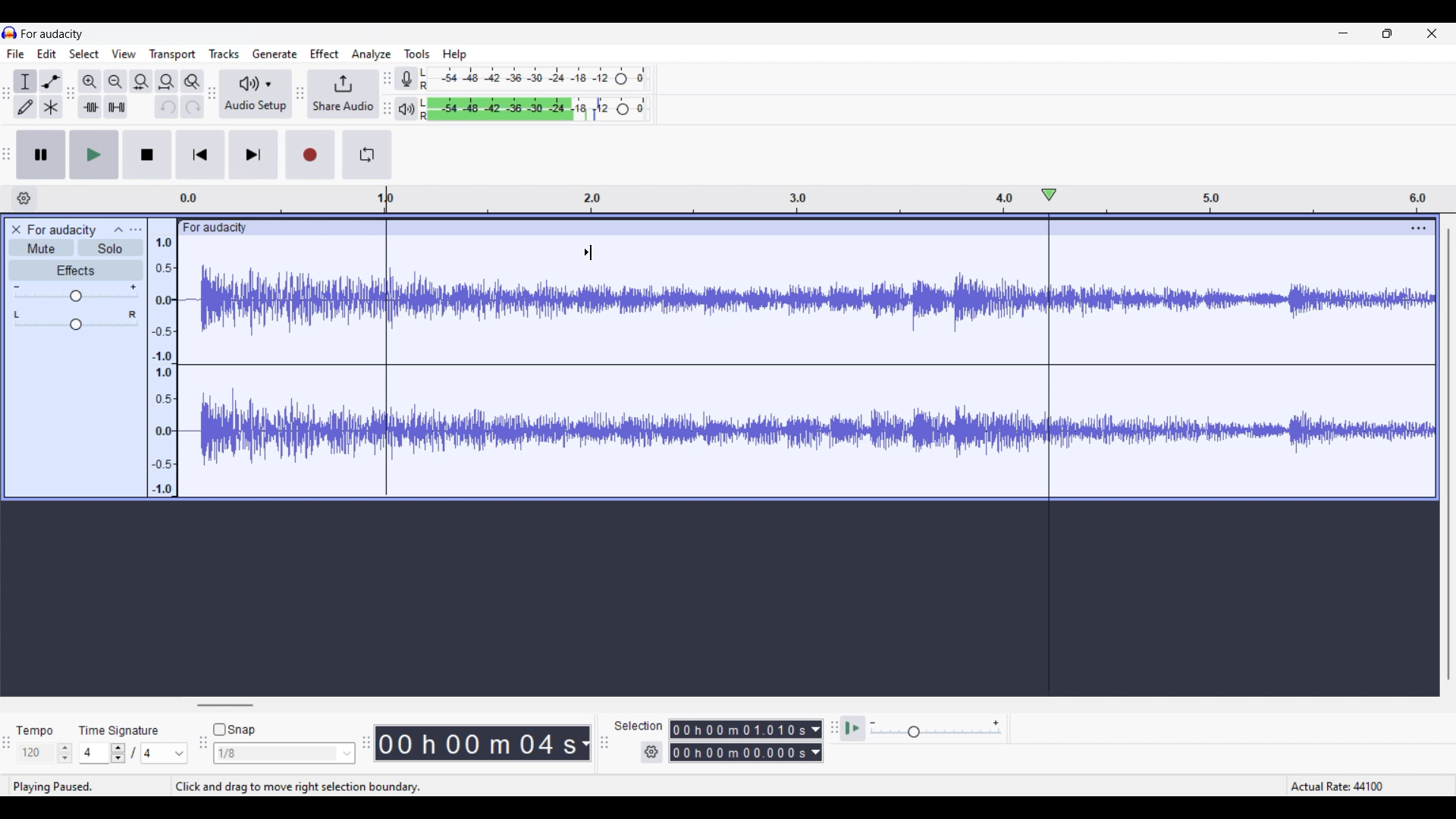 The image size is (1456, 819). Describe the element at coordinates (10, 33) in the screenshot. I see `Software logo` at that location.